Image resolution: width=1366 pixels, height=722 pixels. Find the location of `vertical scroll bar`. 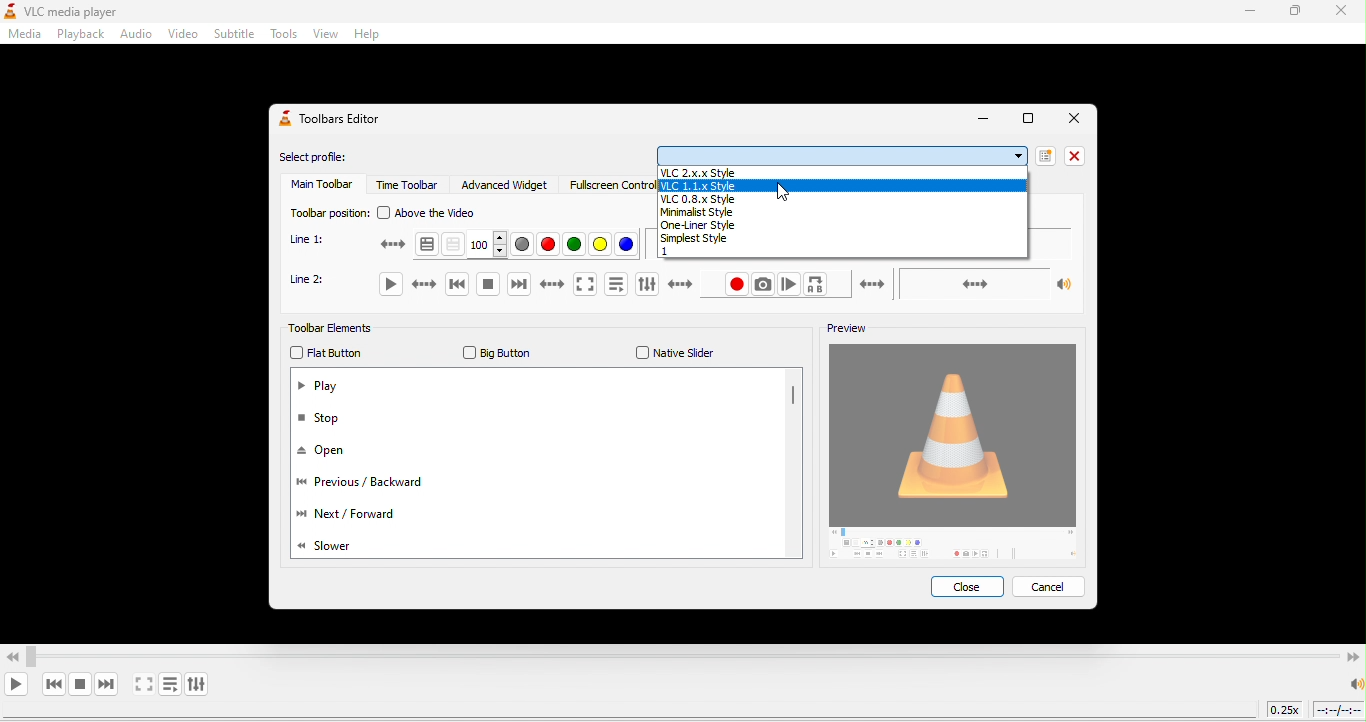

vertical scroll bar is located at coordinates (794, 400).